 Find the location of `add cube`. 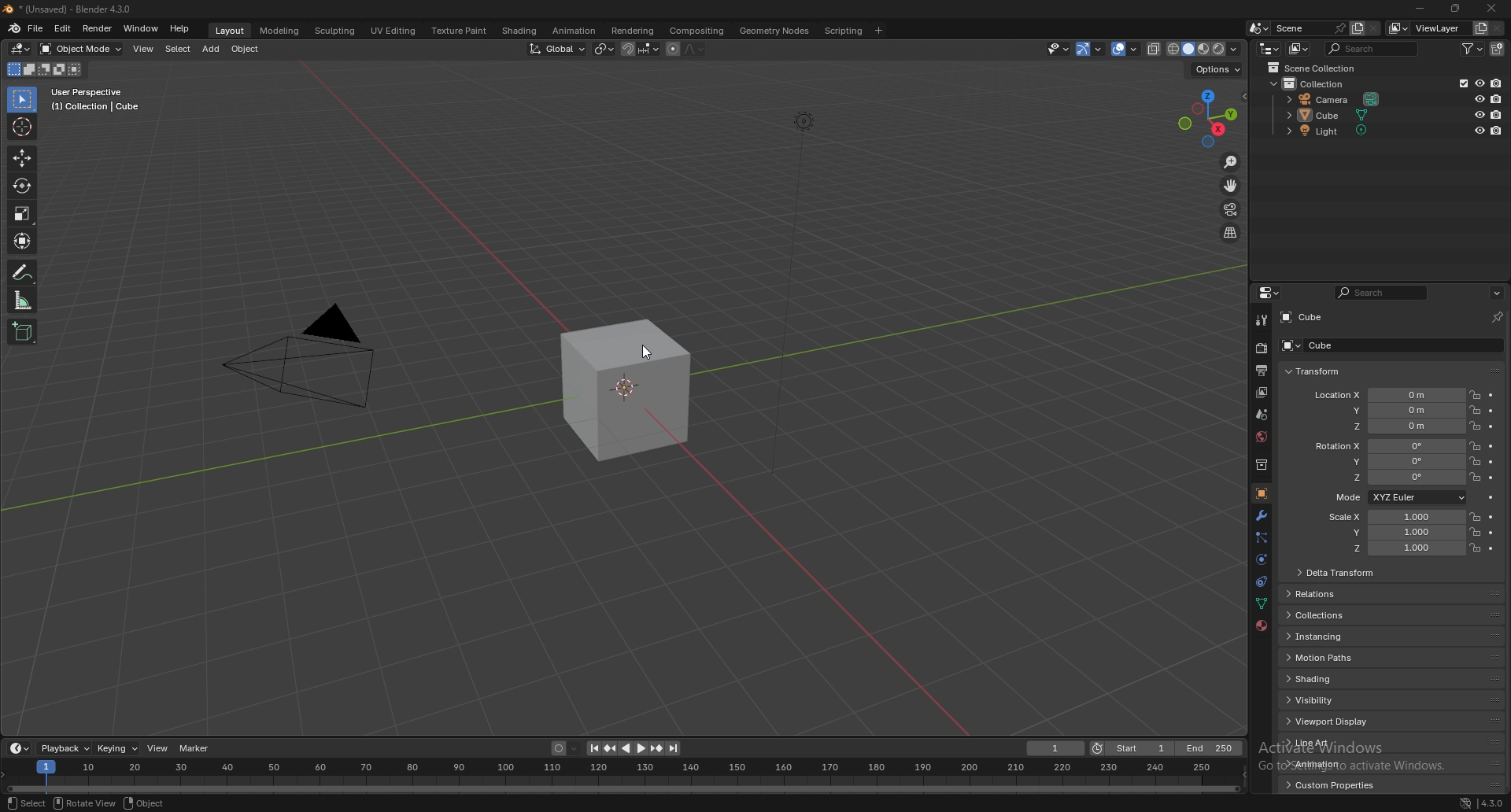

add cube is located at coordinates (22, 330).